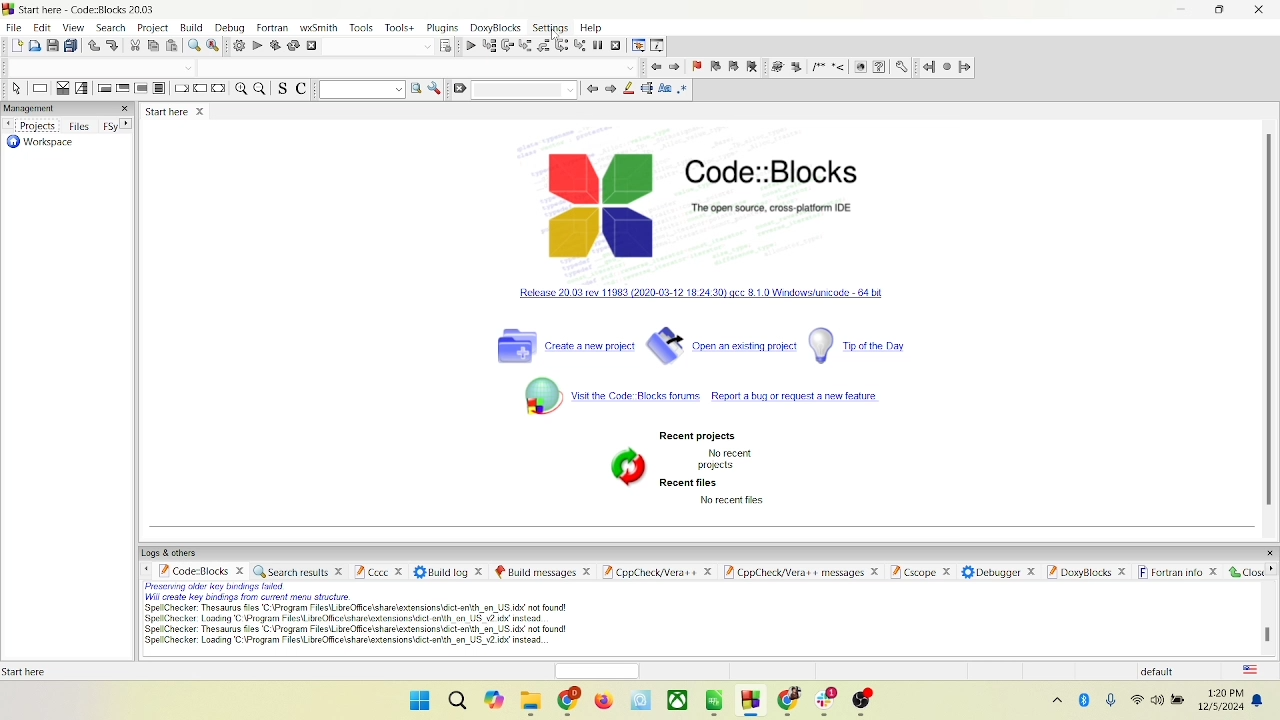  Describe the element at coordinates (563, 45) in the screenshot. I see `next instruction` at that location.